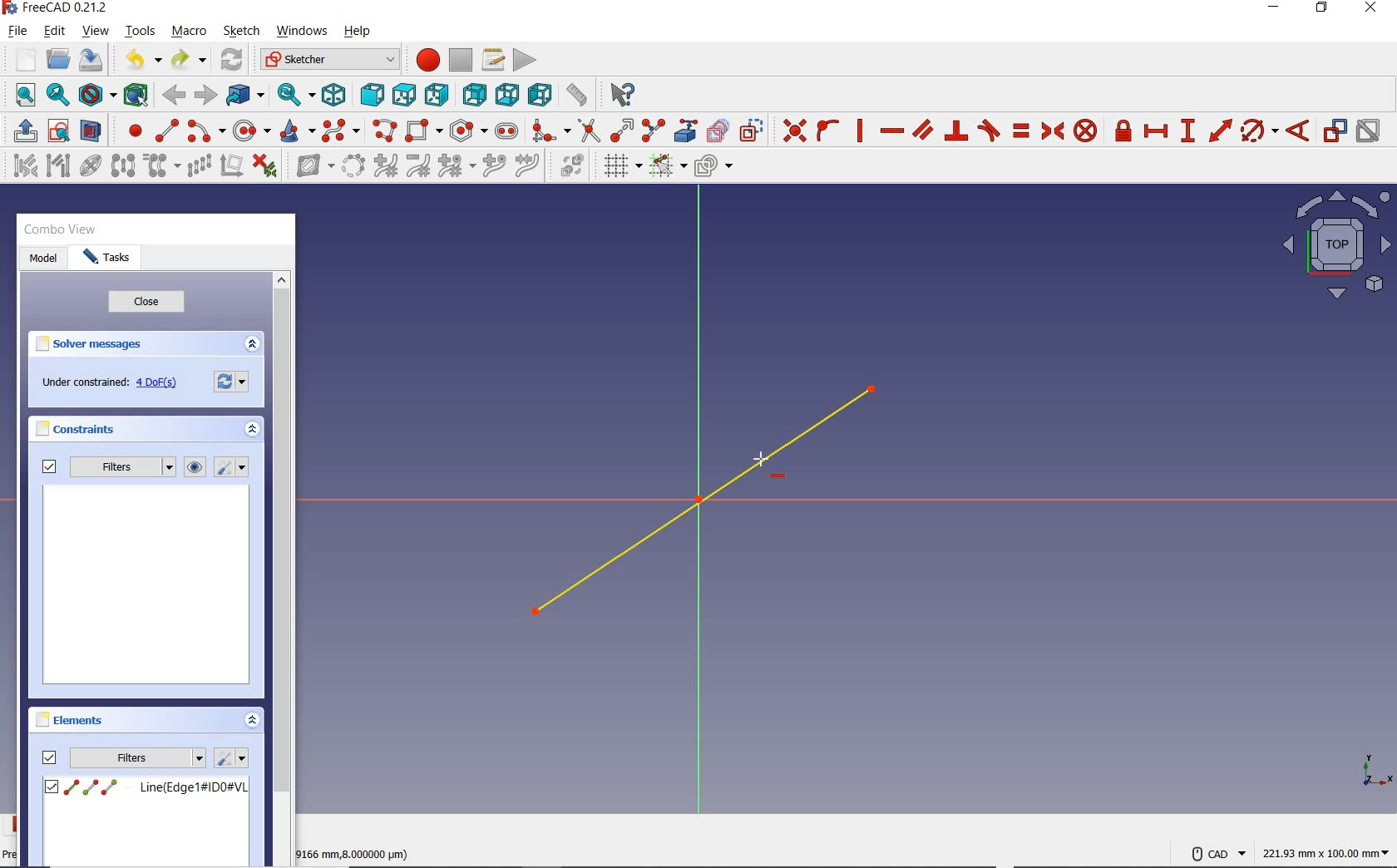  Describe the element at coordinates (707, 502) in the screenshot. I see `basic shape: line` at that location.